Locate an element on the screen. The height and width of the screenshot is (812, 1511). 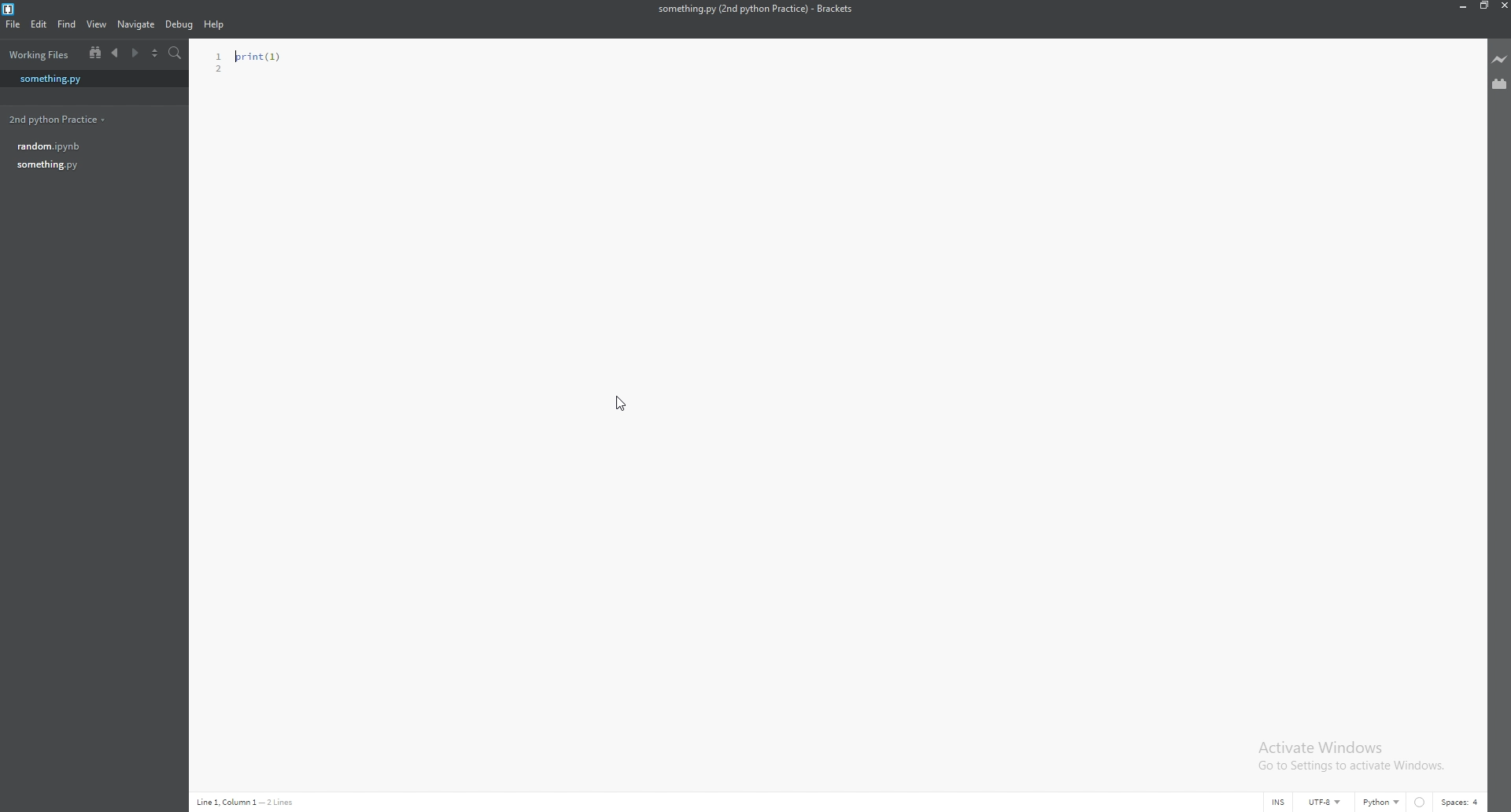
show in file tree is located at coordinates (94, 53).